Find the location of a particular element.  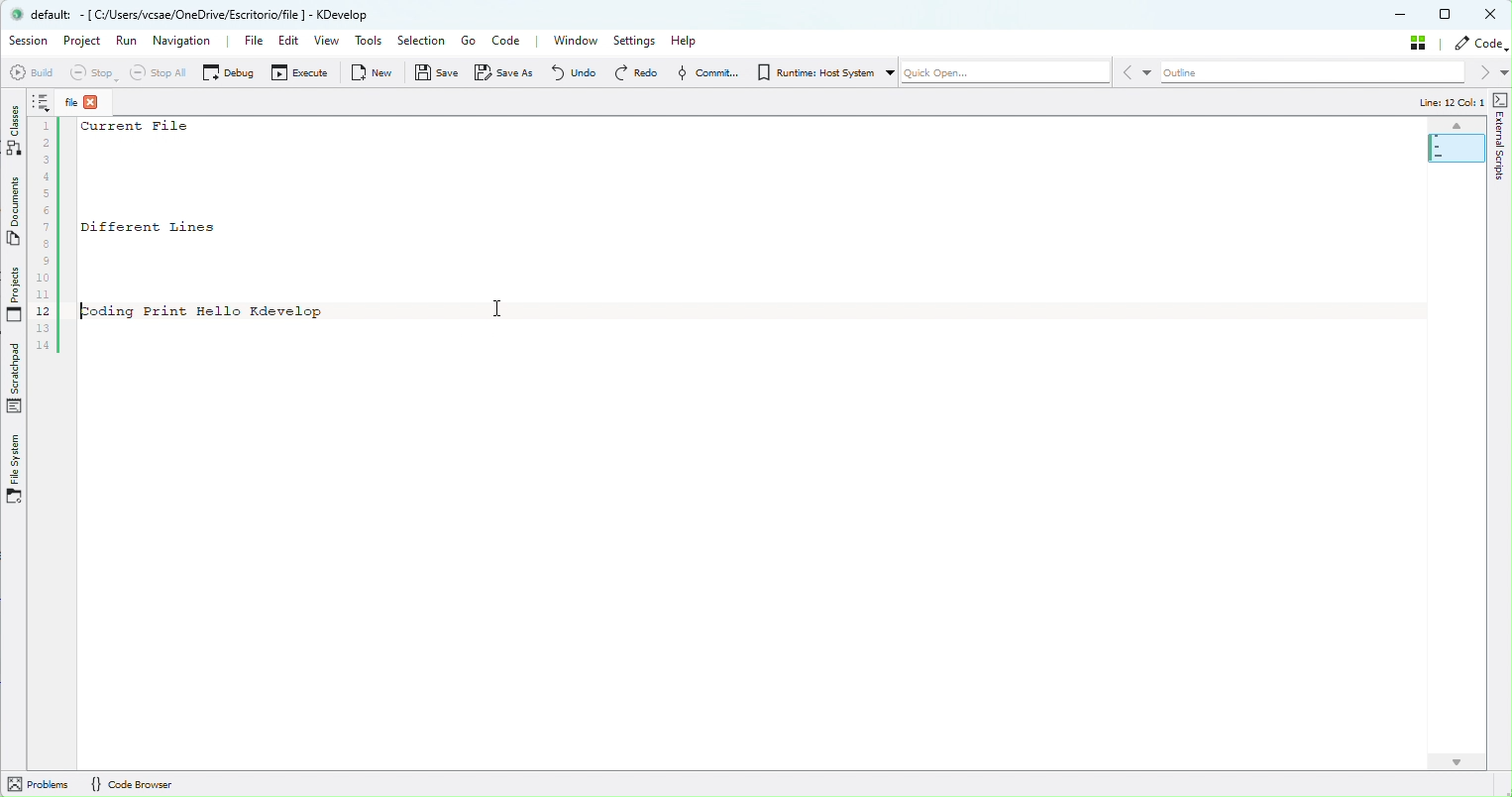

File is located at coordinates (253, 42).